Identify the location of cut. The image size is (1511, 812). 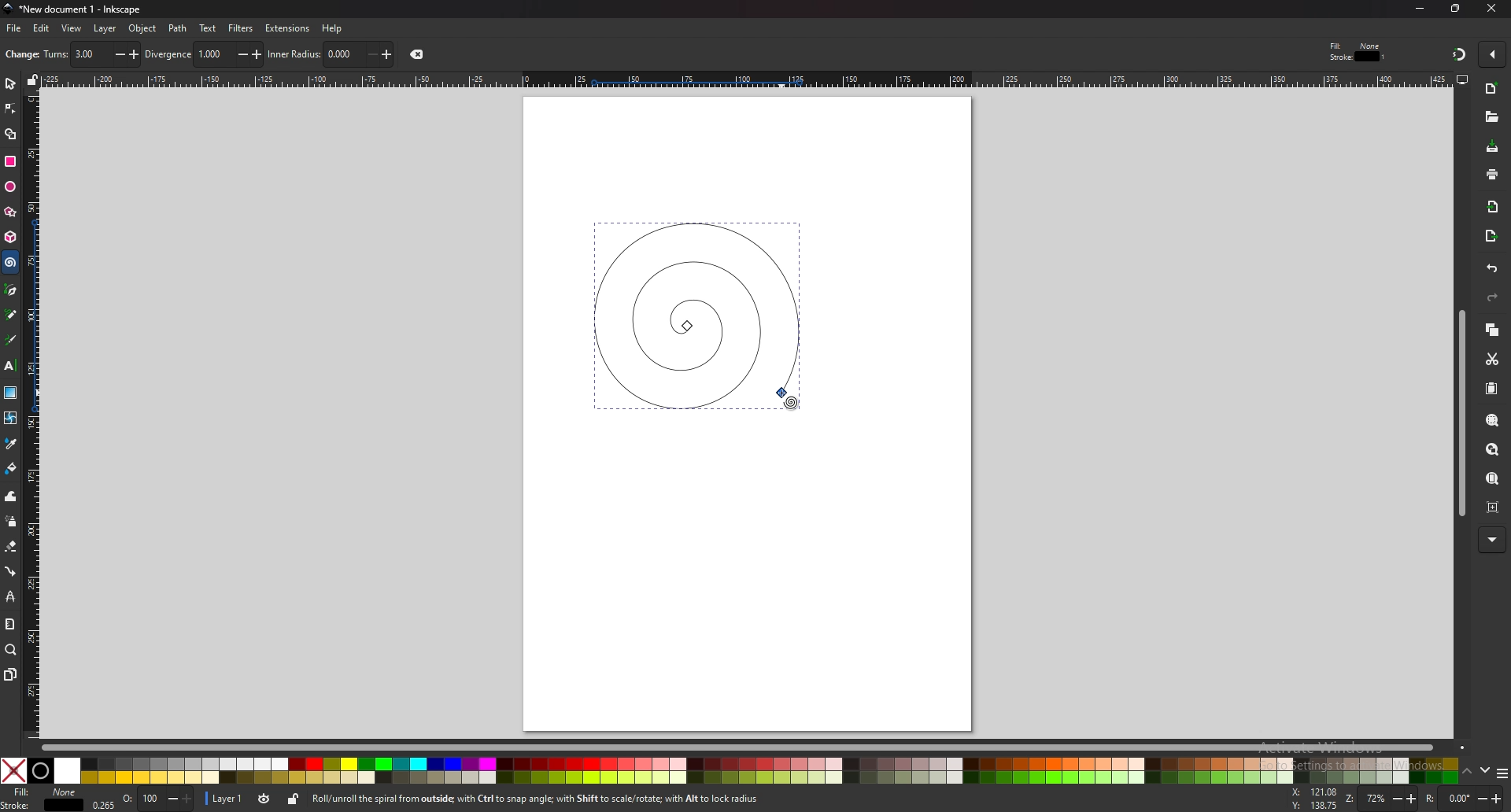
(1493, 360).